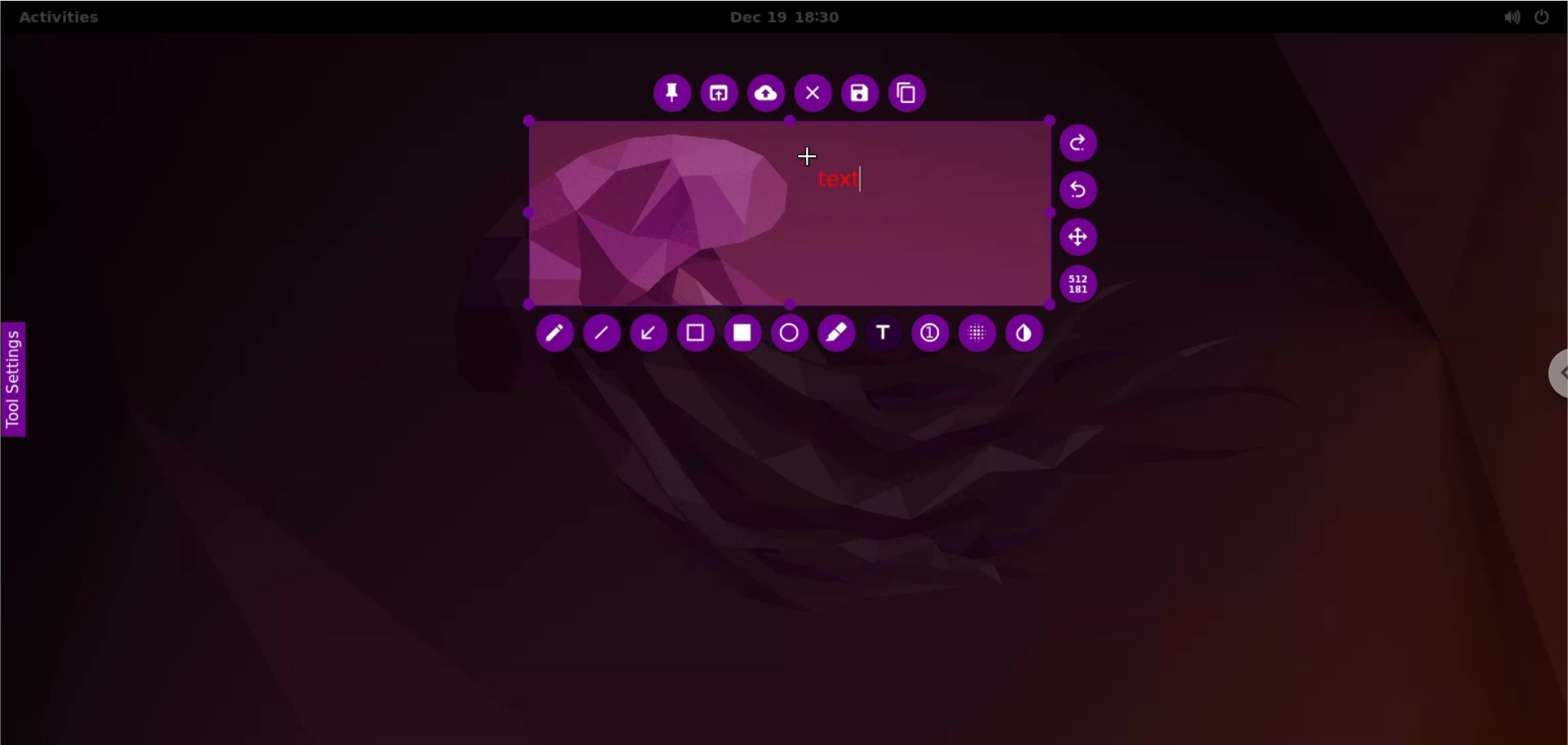 This screenshot has width=1568, height=745. I want to click on save, so click(858, 94).